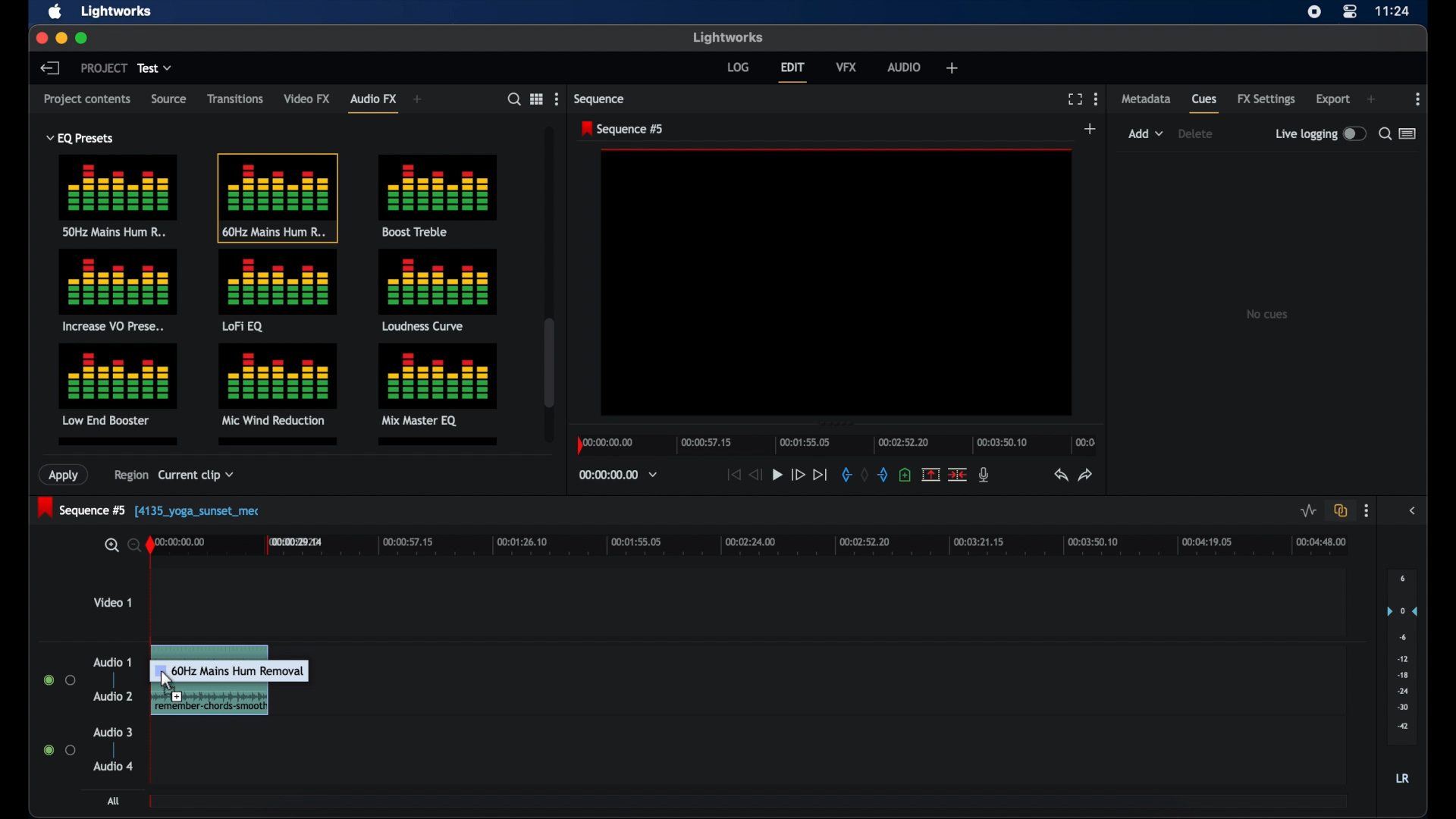 The height and width of the screenshot is (819, 1456). I want to click on all, so click(112, 801).